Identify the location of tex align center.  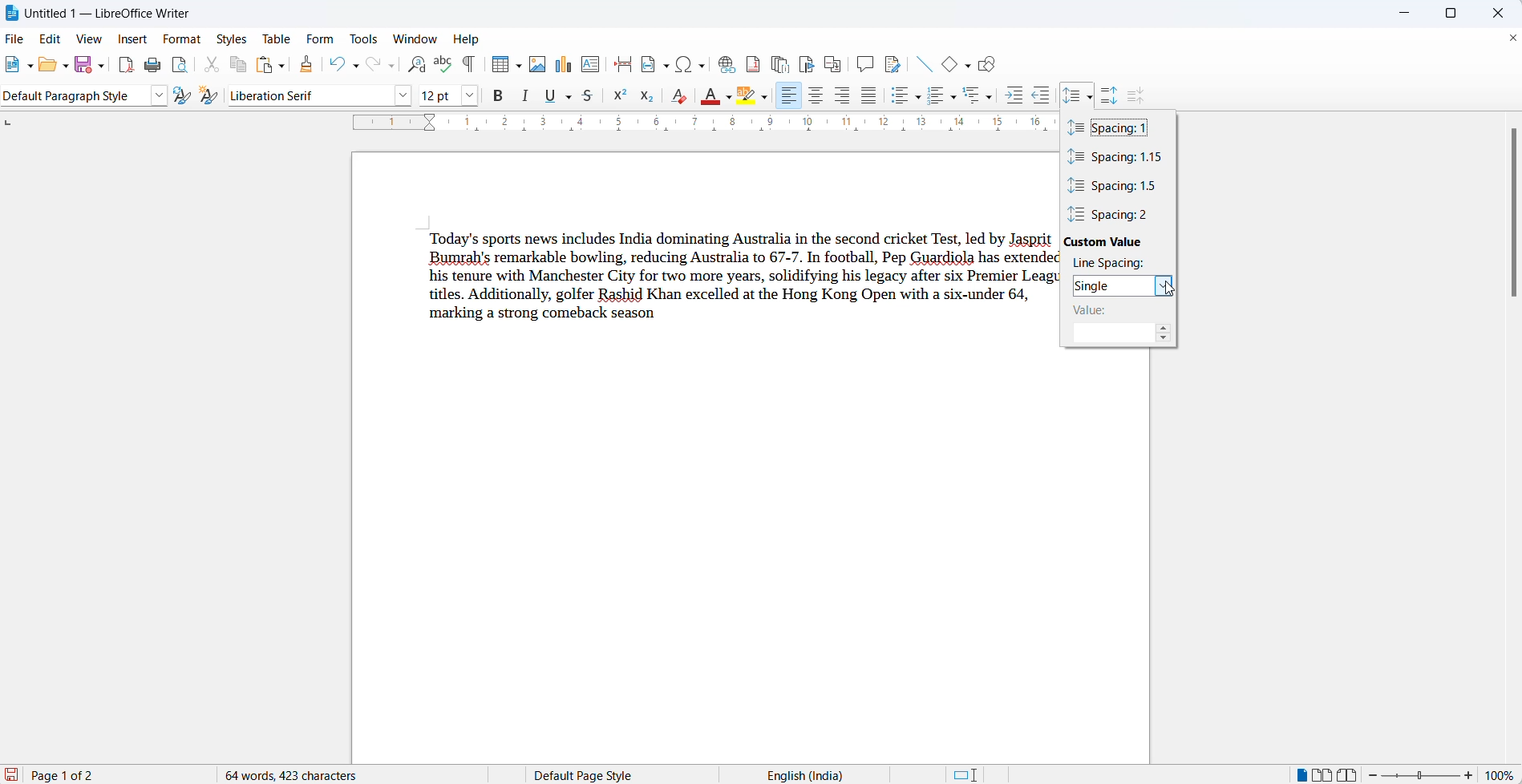
(815, 97).